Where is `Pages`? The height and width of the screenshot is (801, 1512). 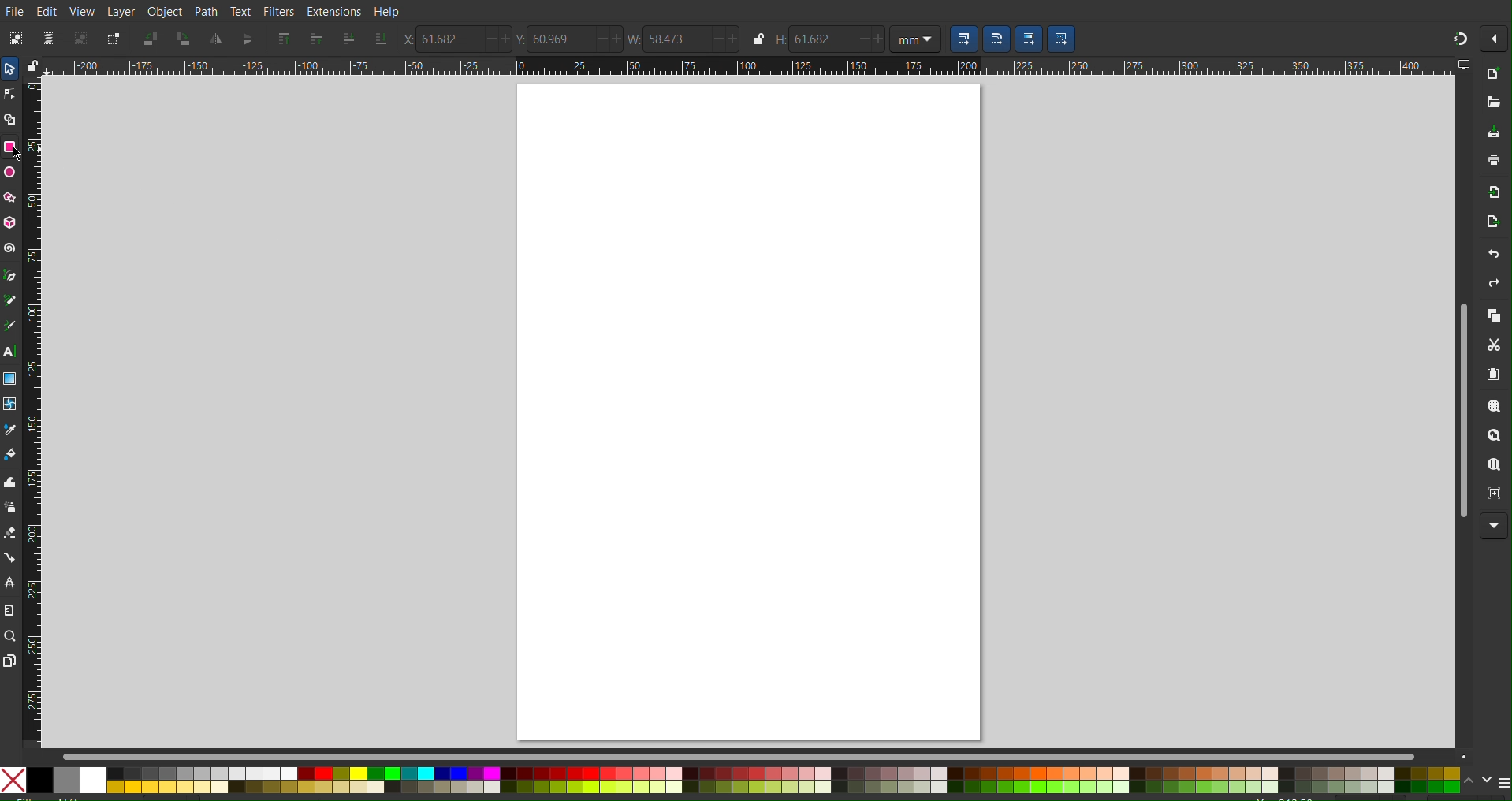
Pages is located at coordinates (9, 660).